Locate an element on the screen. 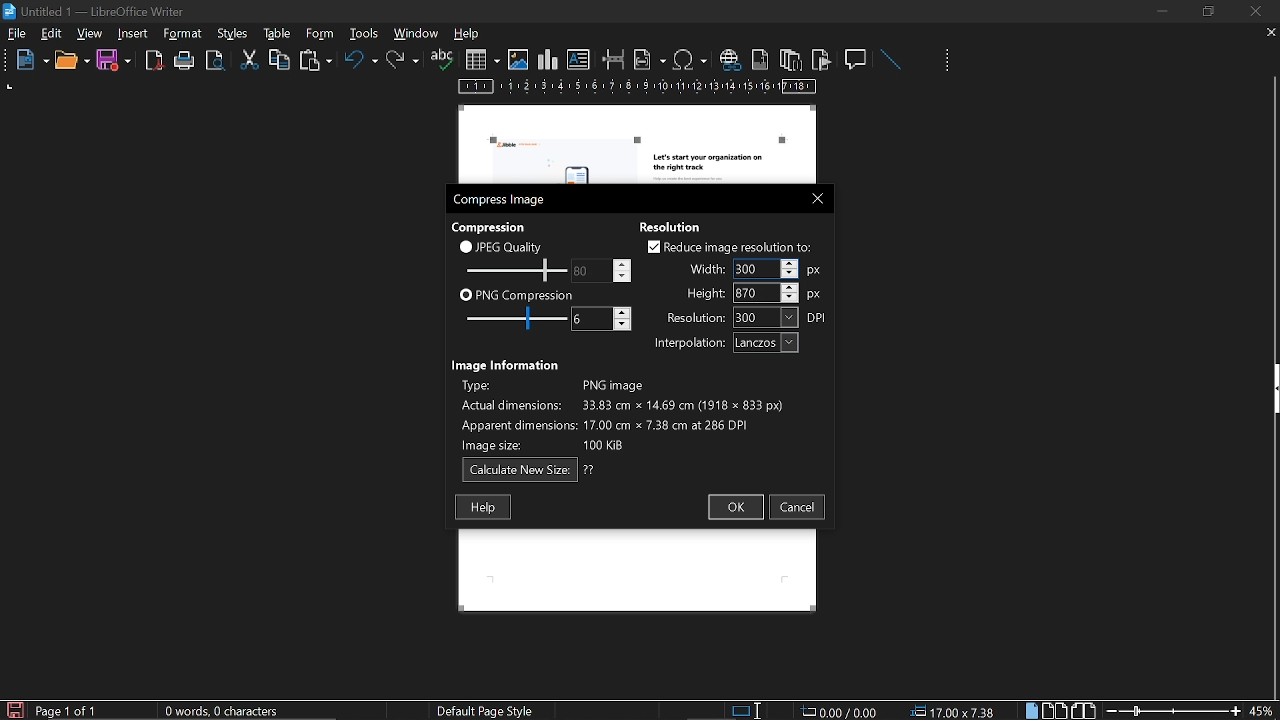 The width and height of the screenshot is (1280, 720). jpeg quality is located at coordinates (502, 246).